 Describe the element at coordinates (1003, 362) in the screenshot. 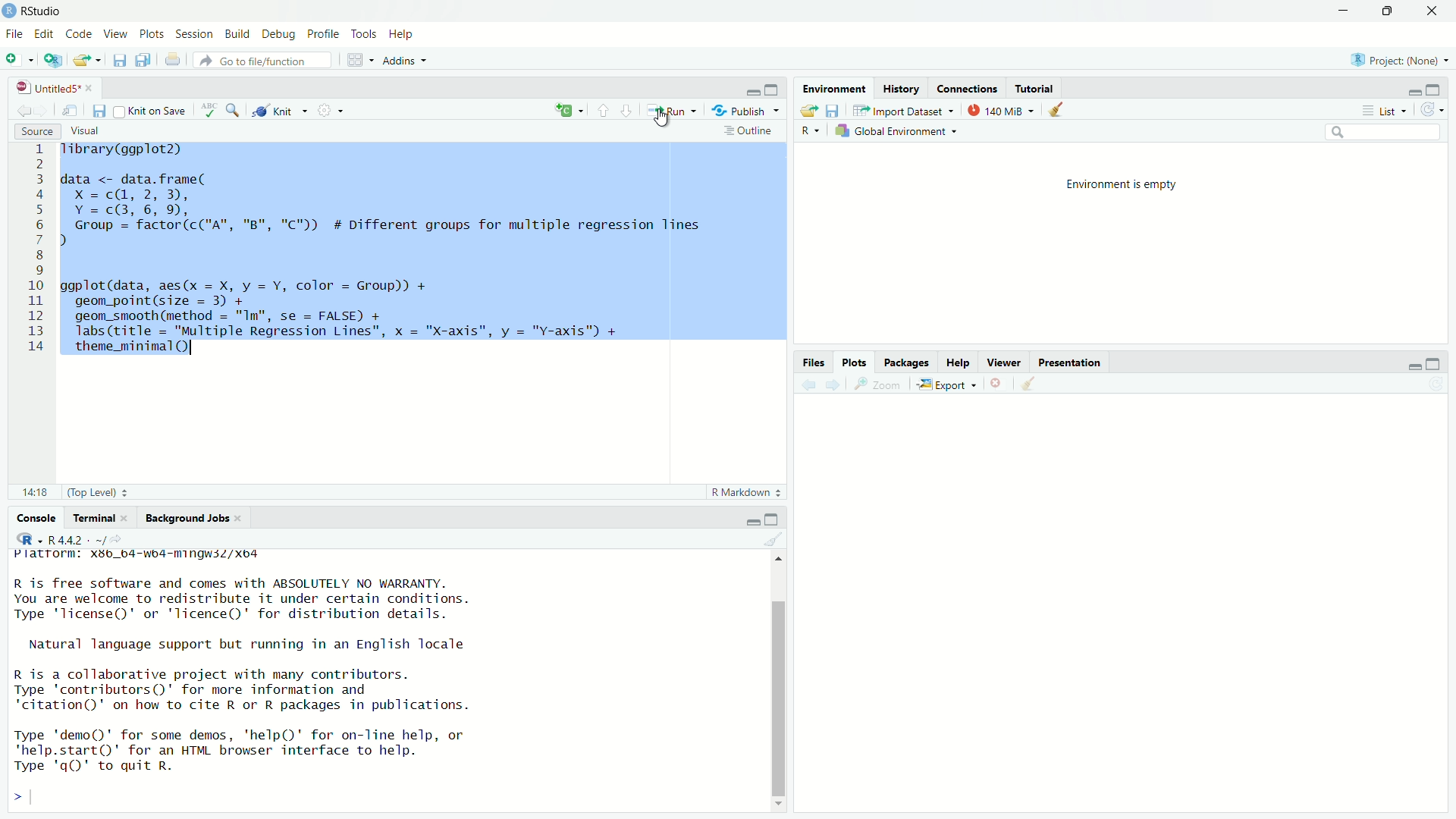

I see `Viewer` at that location.